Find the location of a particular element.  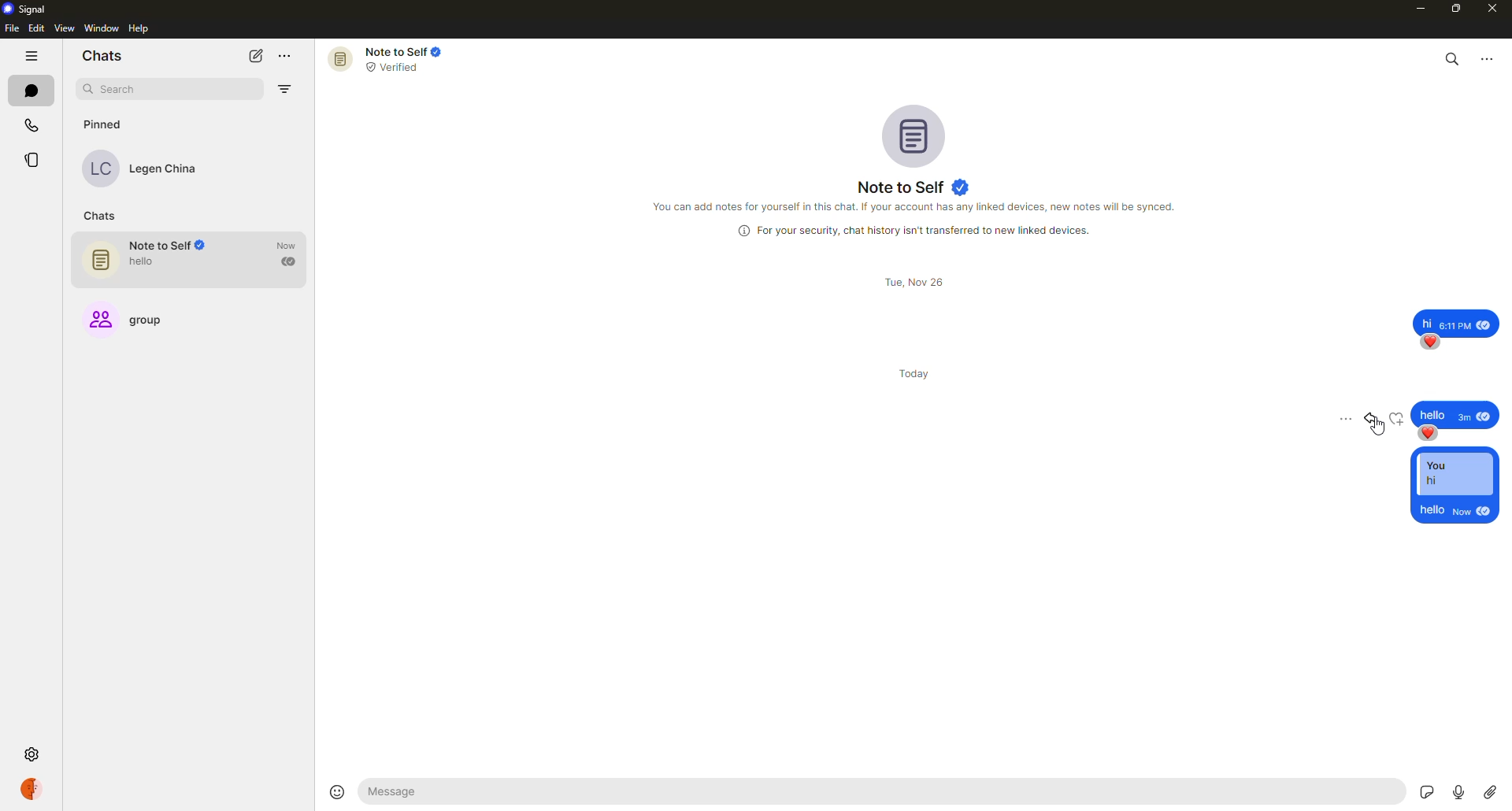

info is located at coordinates (919, 207).